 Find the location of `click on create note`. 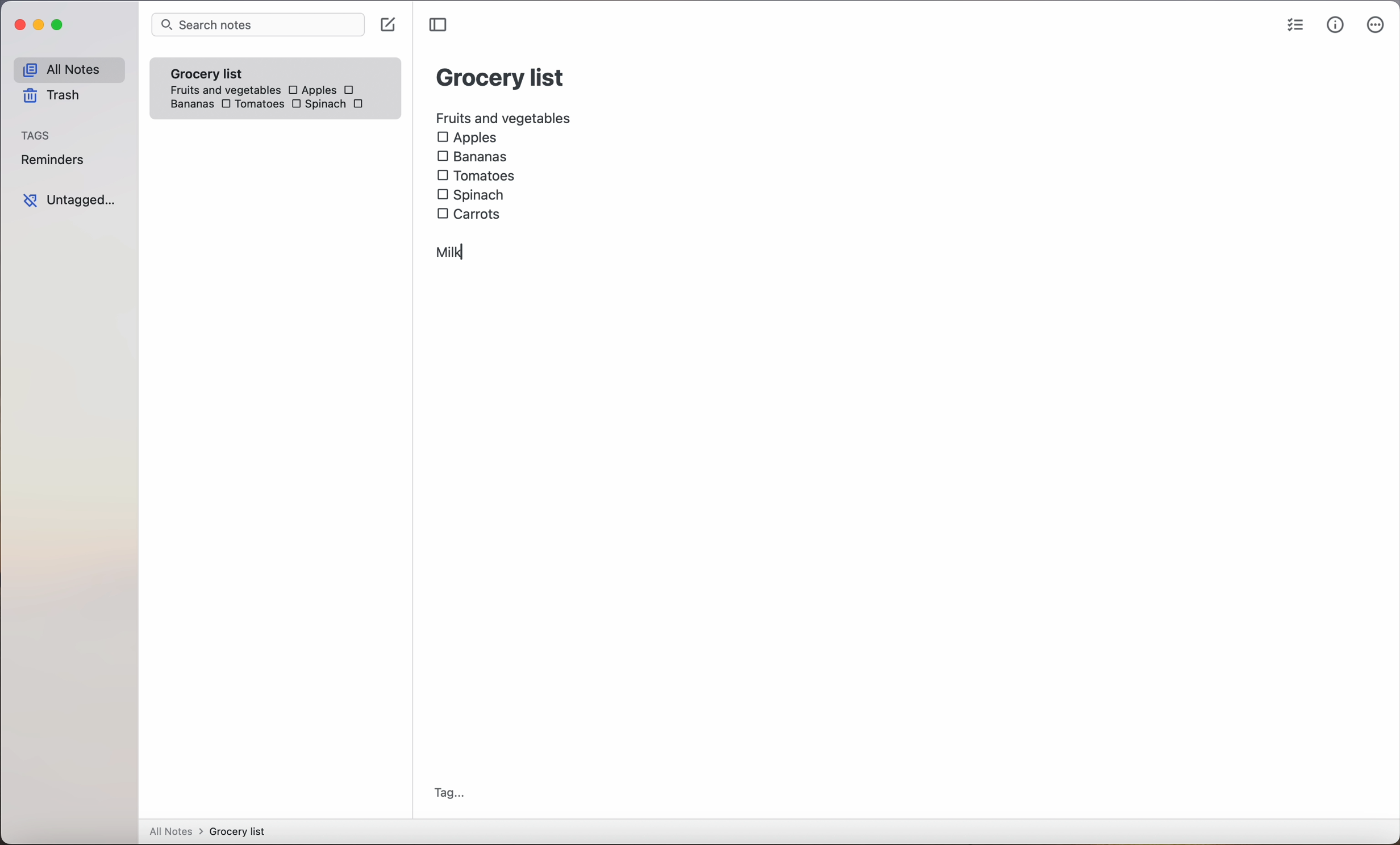

click on create note is located at coordinates (390, 26).